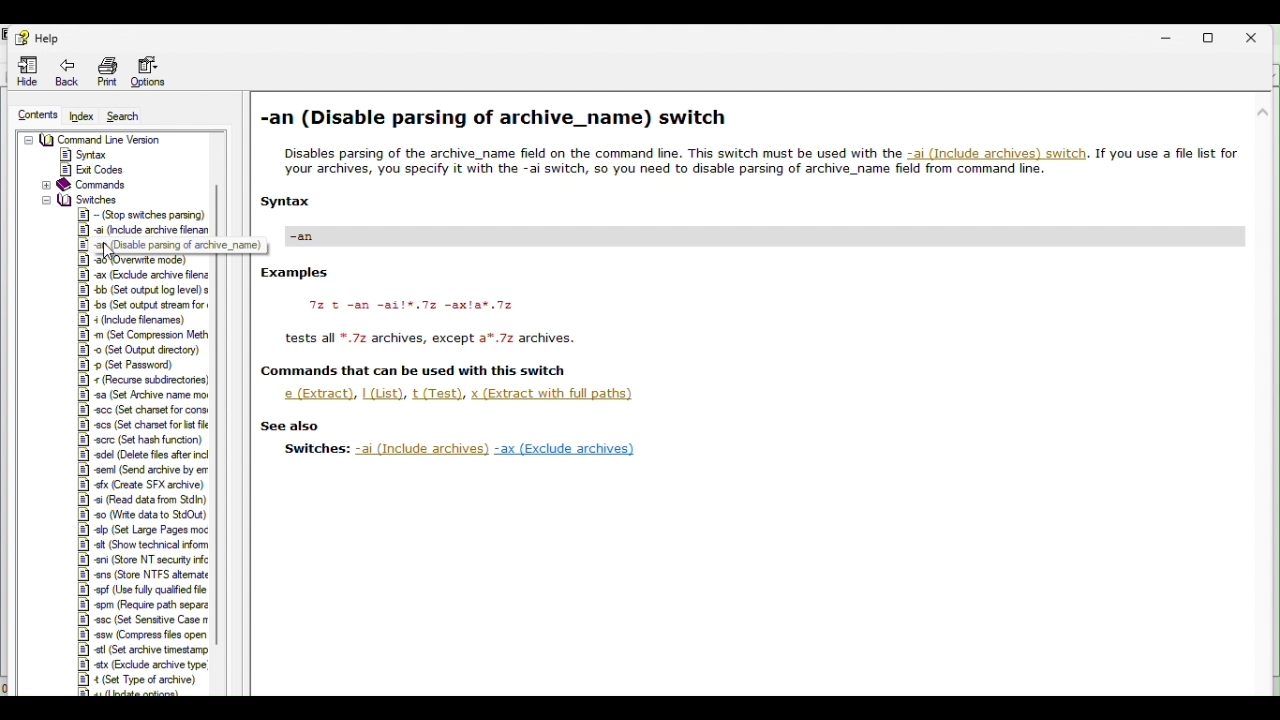 The width and height of the screenshot is (1280, 720). I want to click on |#] ens (Store NTFS altemate, so click(143, 574).